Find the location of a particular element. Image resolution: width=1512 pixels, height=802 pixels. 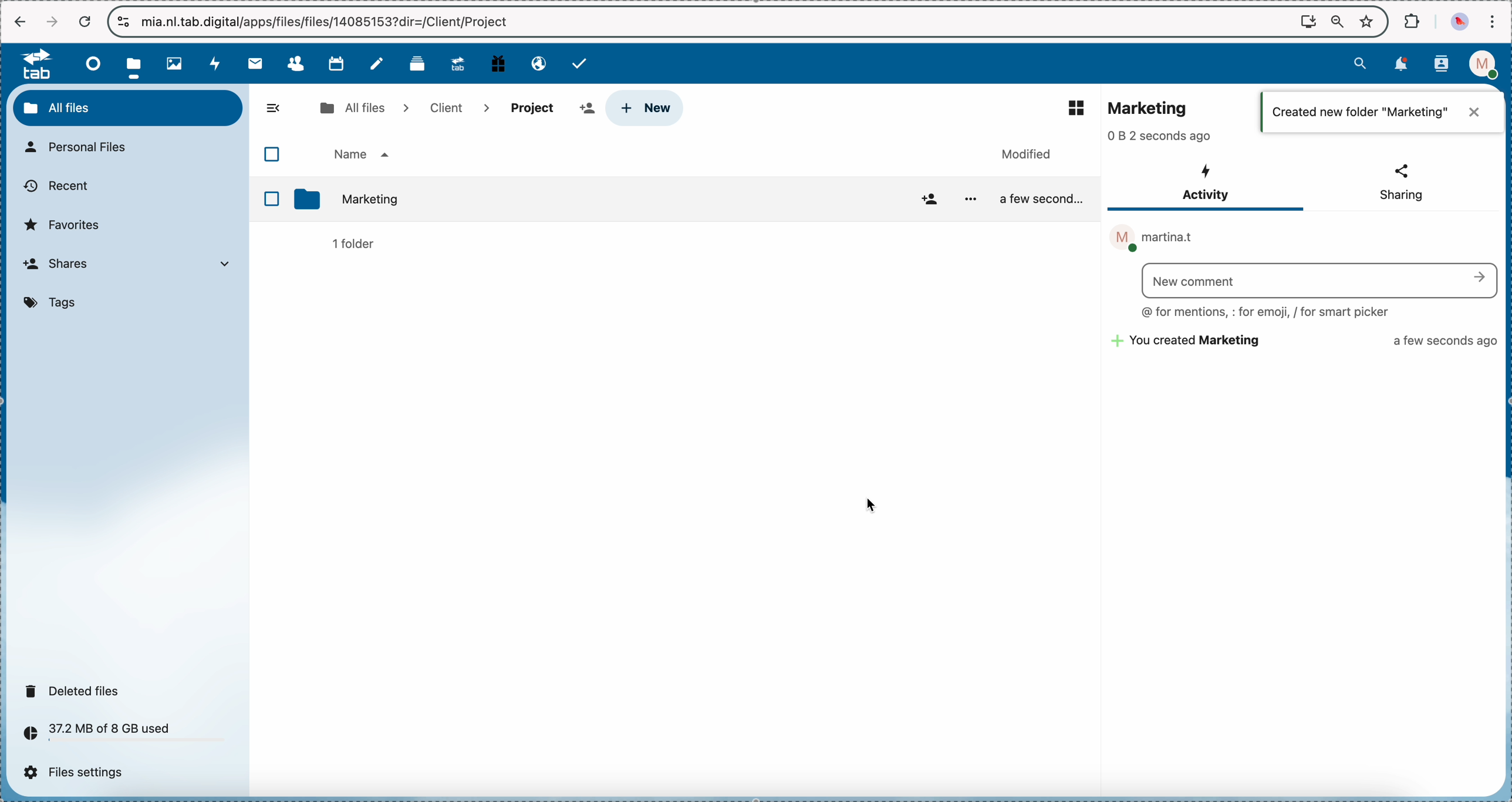

upgrade is located at coordinates (458, 63).